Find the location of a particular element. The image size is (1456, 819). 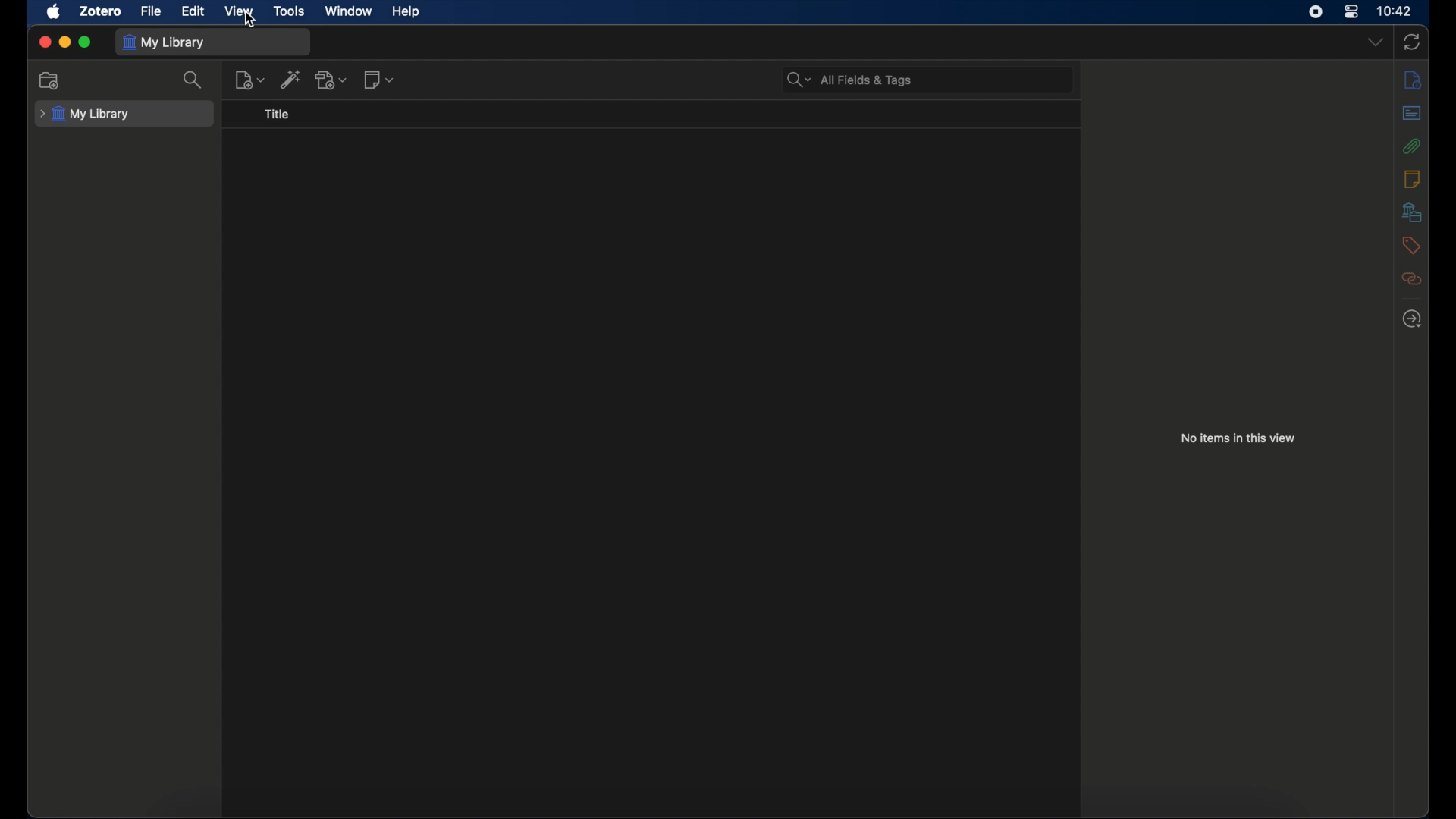

notes is located at coordinates (1412, 179).